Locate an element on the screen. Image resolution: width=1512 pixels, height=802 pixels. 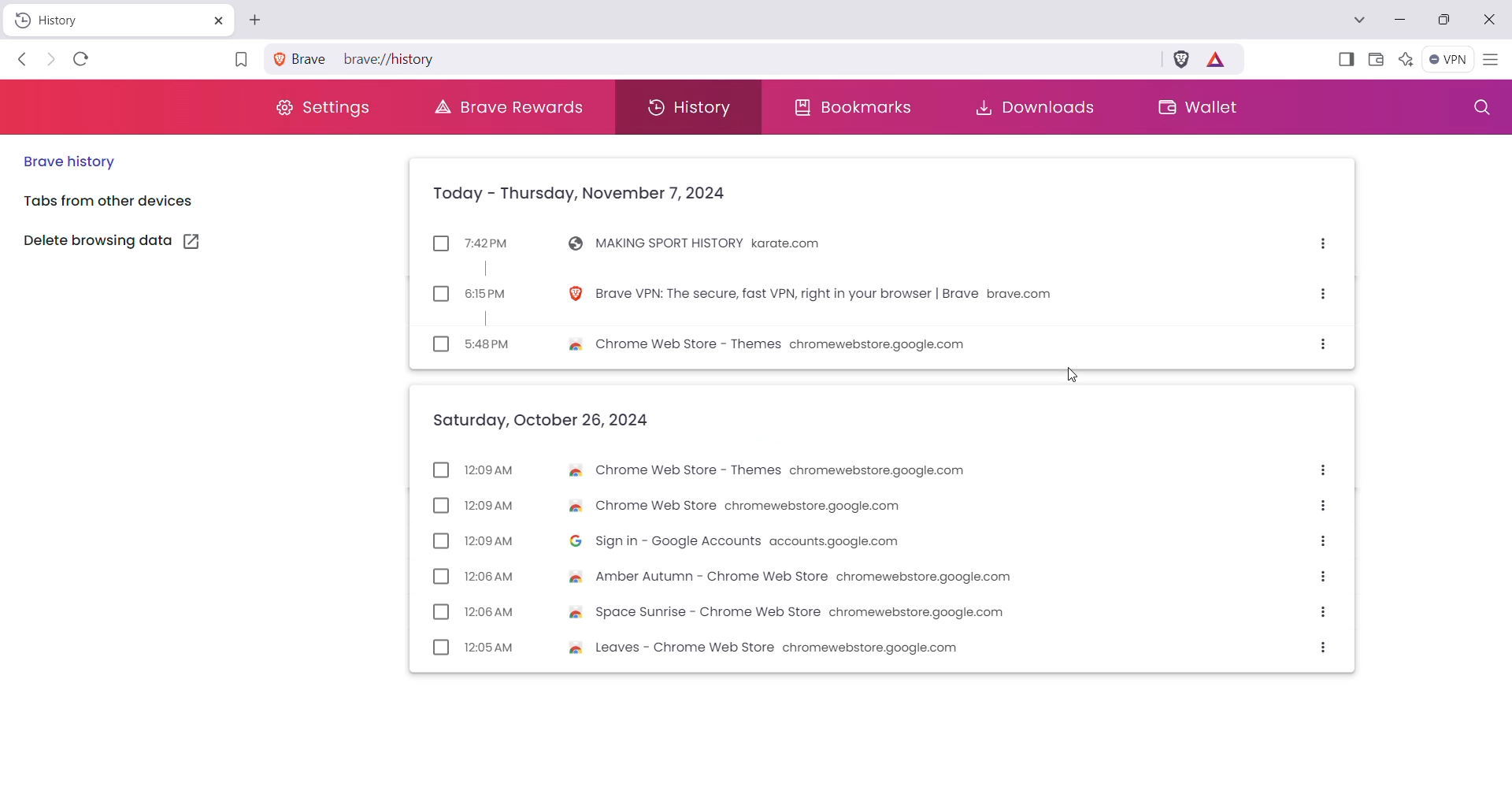
Brave Wallet is located at coordinates (1373, 60).